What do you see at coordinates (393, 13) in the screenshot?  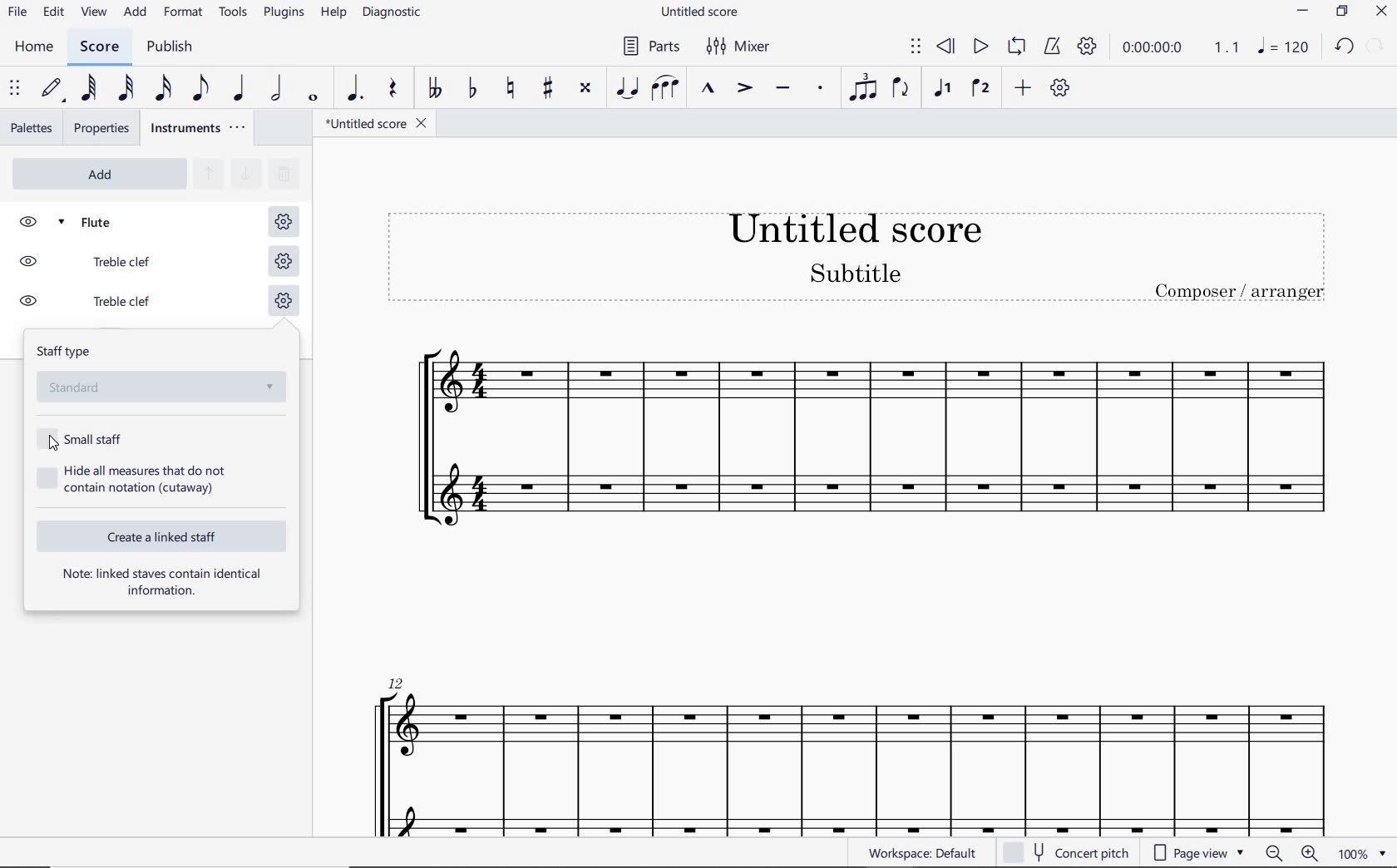 I see `DIAGNOSTIC` at bounding box center [393, 13].